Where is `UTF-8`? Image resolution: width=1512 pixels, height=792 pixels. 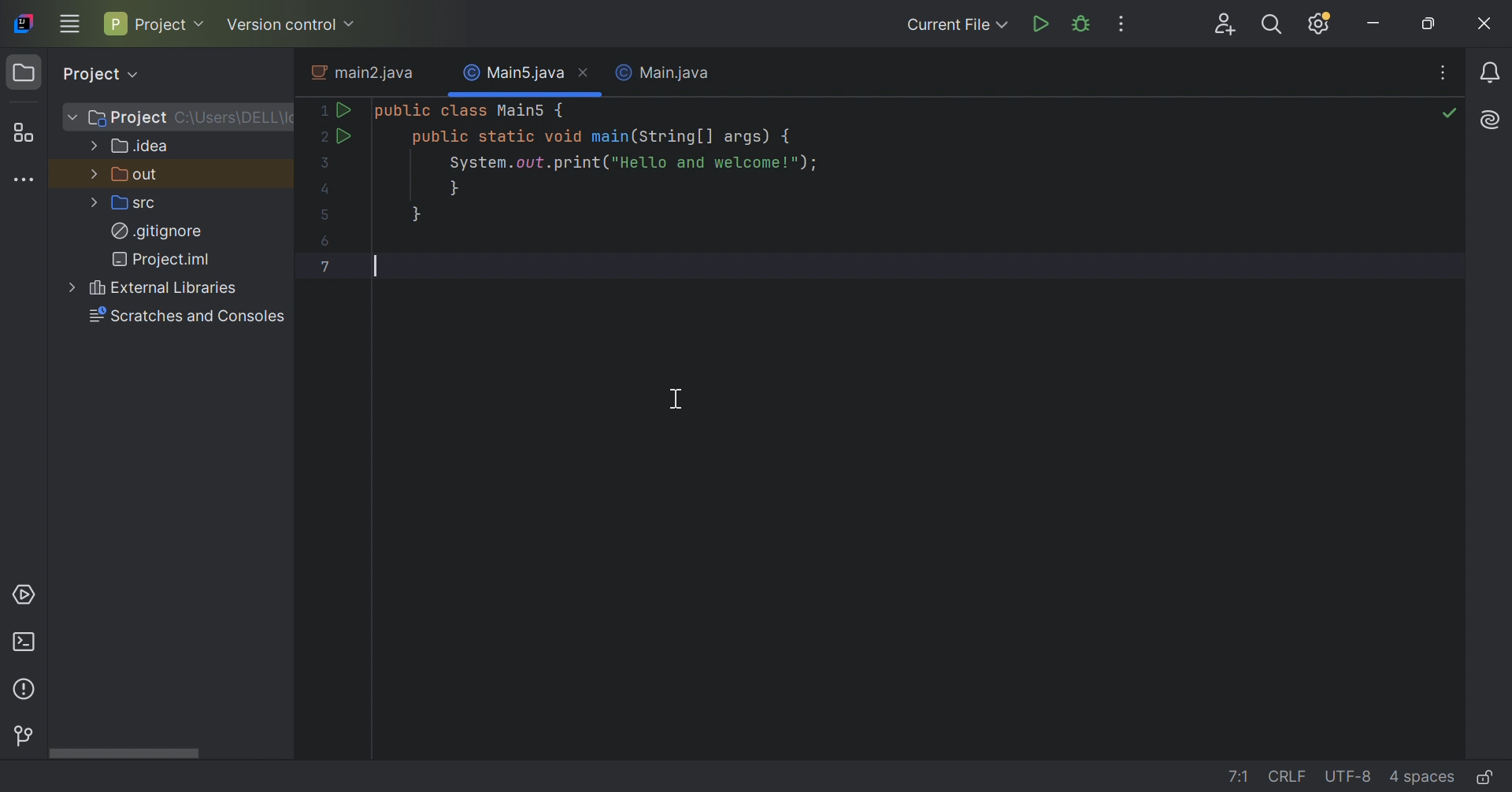 UTF-8 is located at coordinates (1352, 777).